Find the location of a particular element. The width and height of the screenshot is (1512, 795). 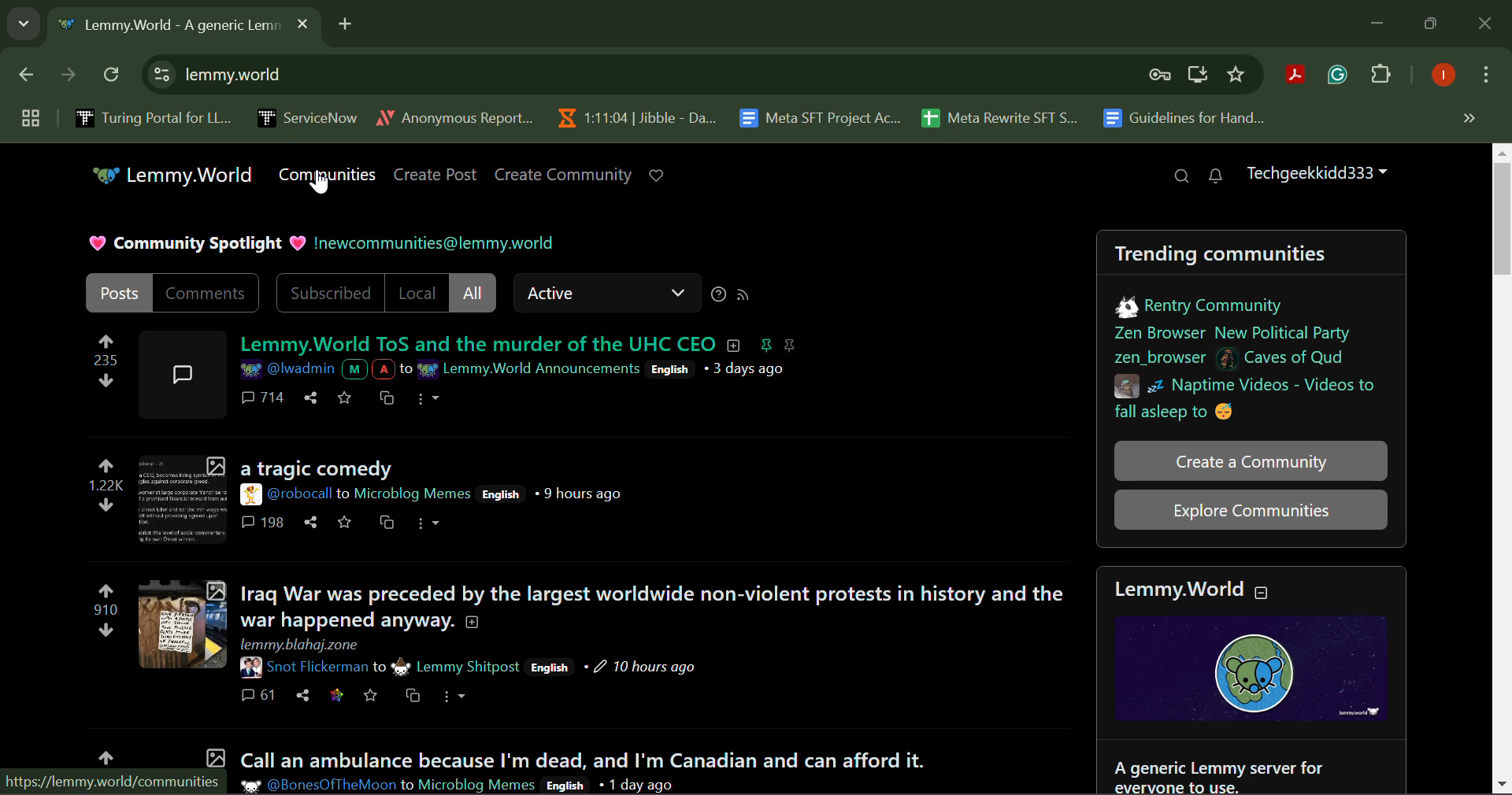

Lemmy Shitpost is located at coordinates (469, 667).